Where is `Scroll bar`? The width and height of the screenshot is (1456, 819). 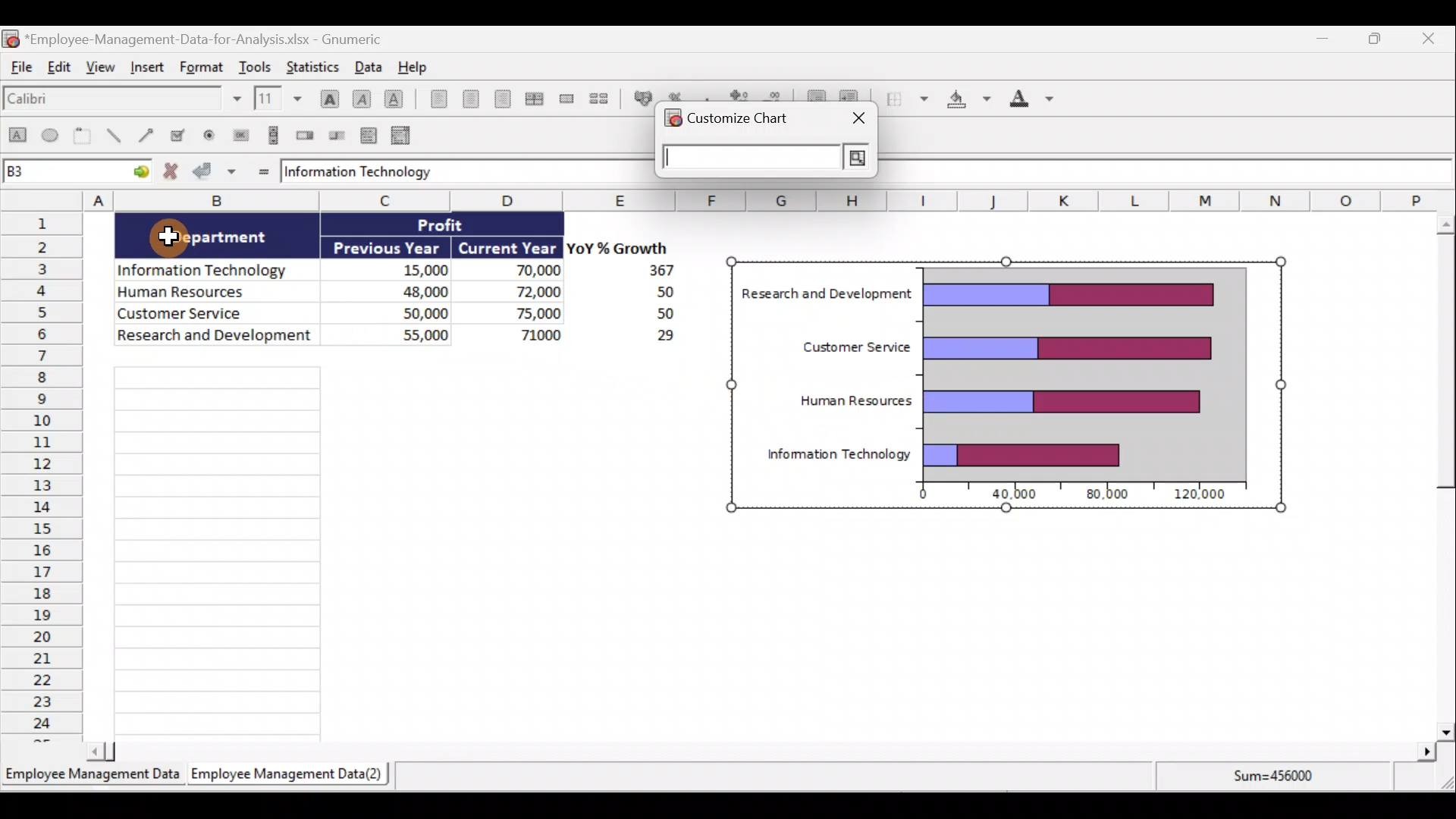
Scroll bar is located at coordinates (1438, 476).